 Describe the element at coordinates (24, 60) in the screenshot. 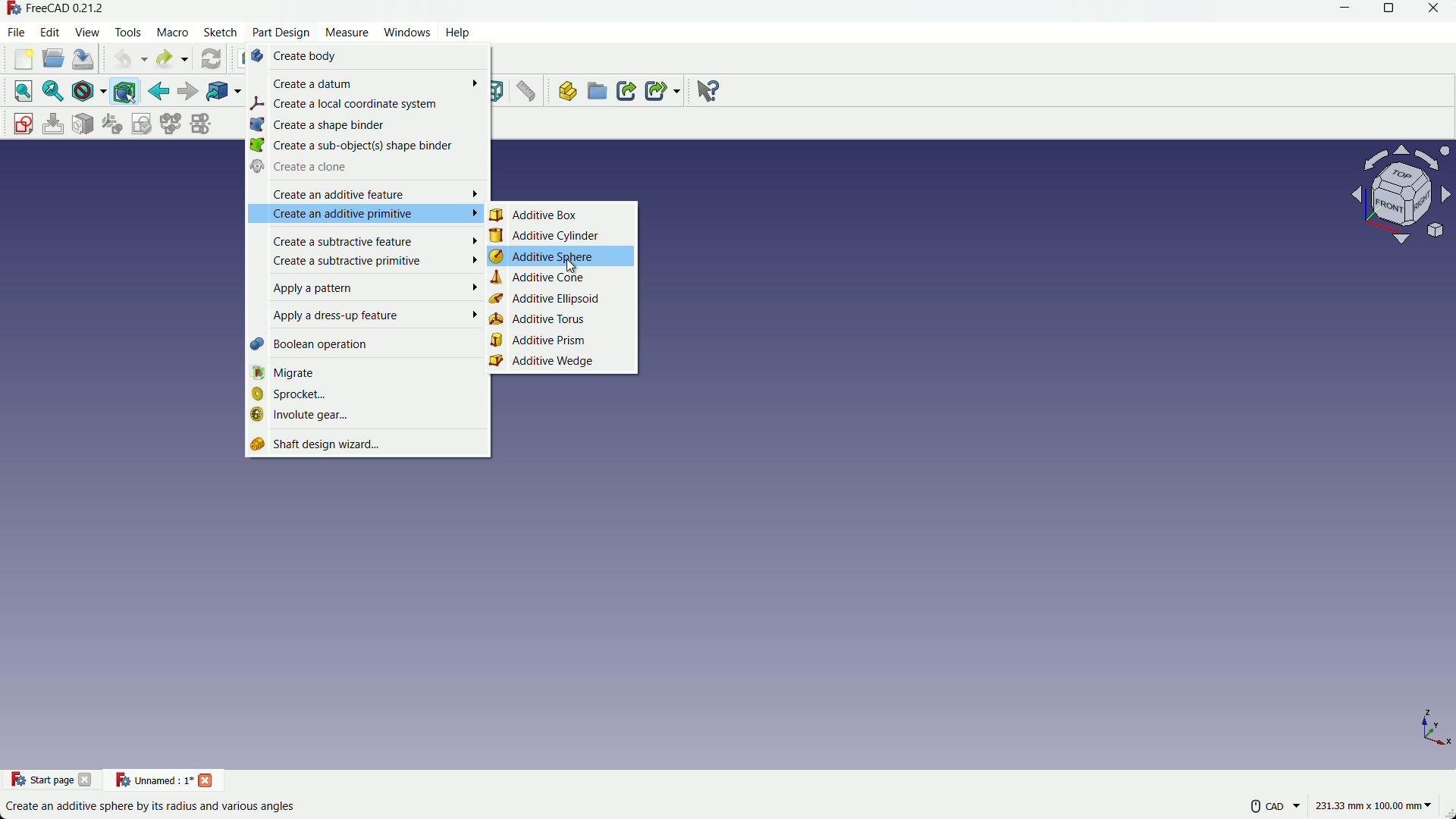

I see `new file` at that location.